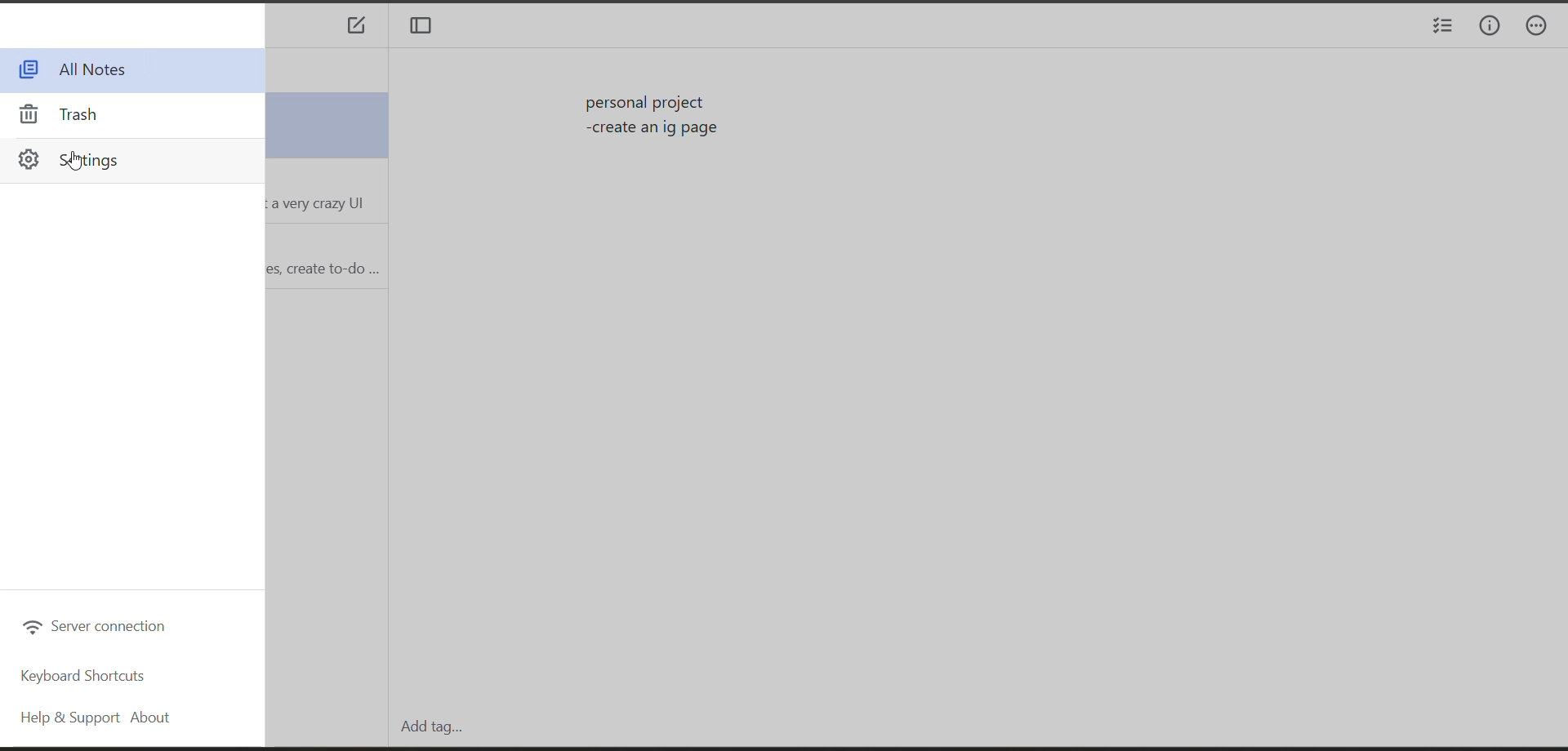  I want to click on keyboard shortcuts, so click(87, 677).